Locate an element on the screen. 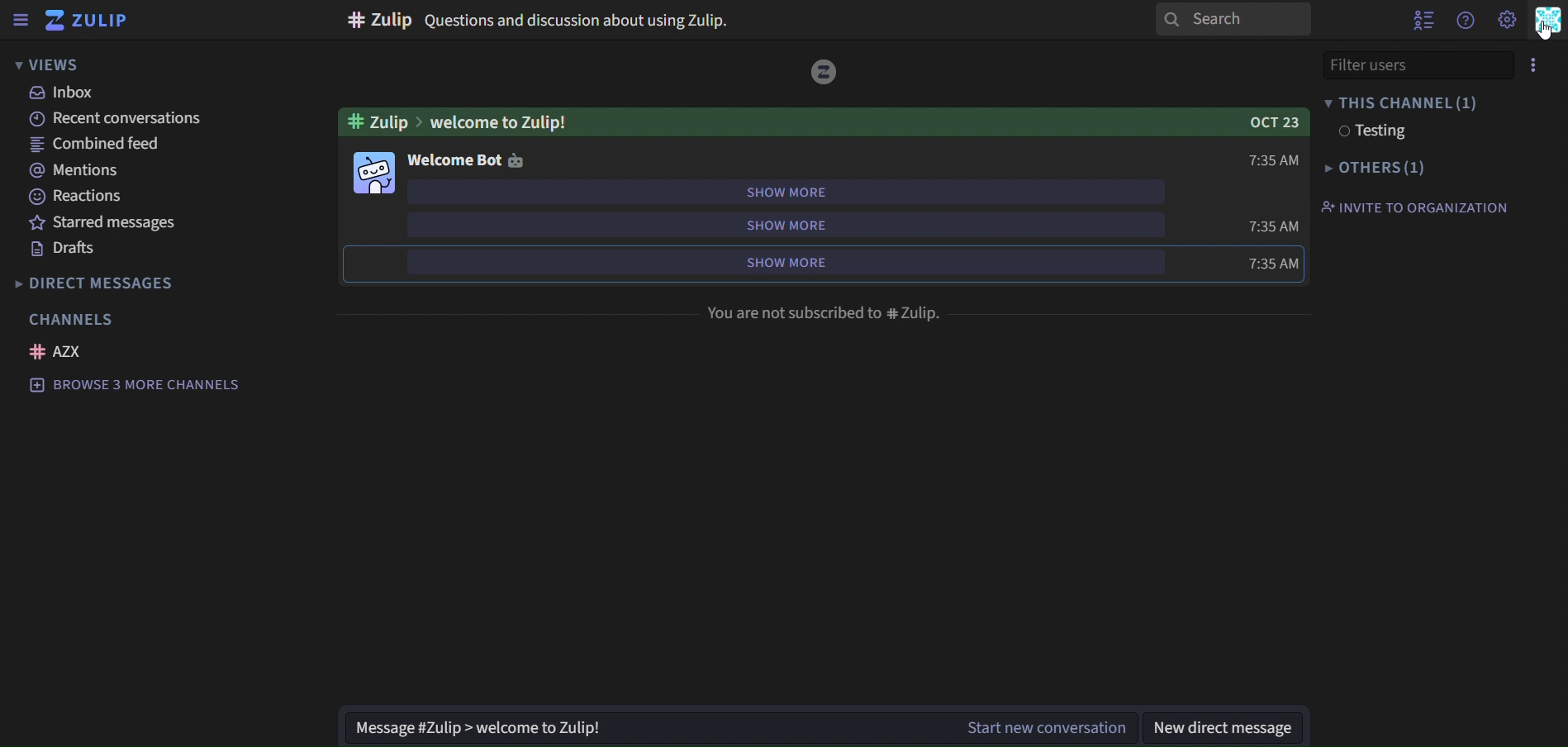 Image resolution: width=1568 pixels, height=747 pixels. others is located at coordinates (1380, 166).